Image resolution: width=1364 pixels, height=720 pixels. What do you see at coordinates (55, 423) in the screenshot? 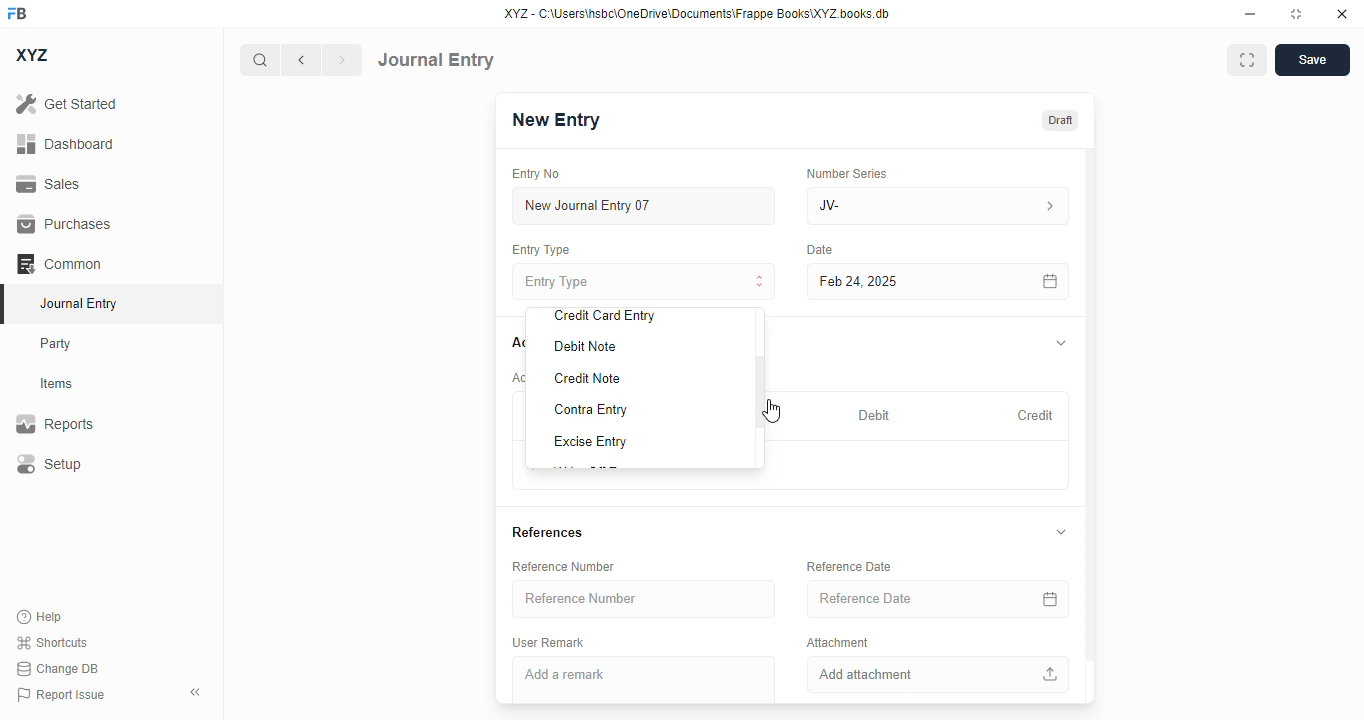
I see `reports` at bounding box center [55, 423].